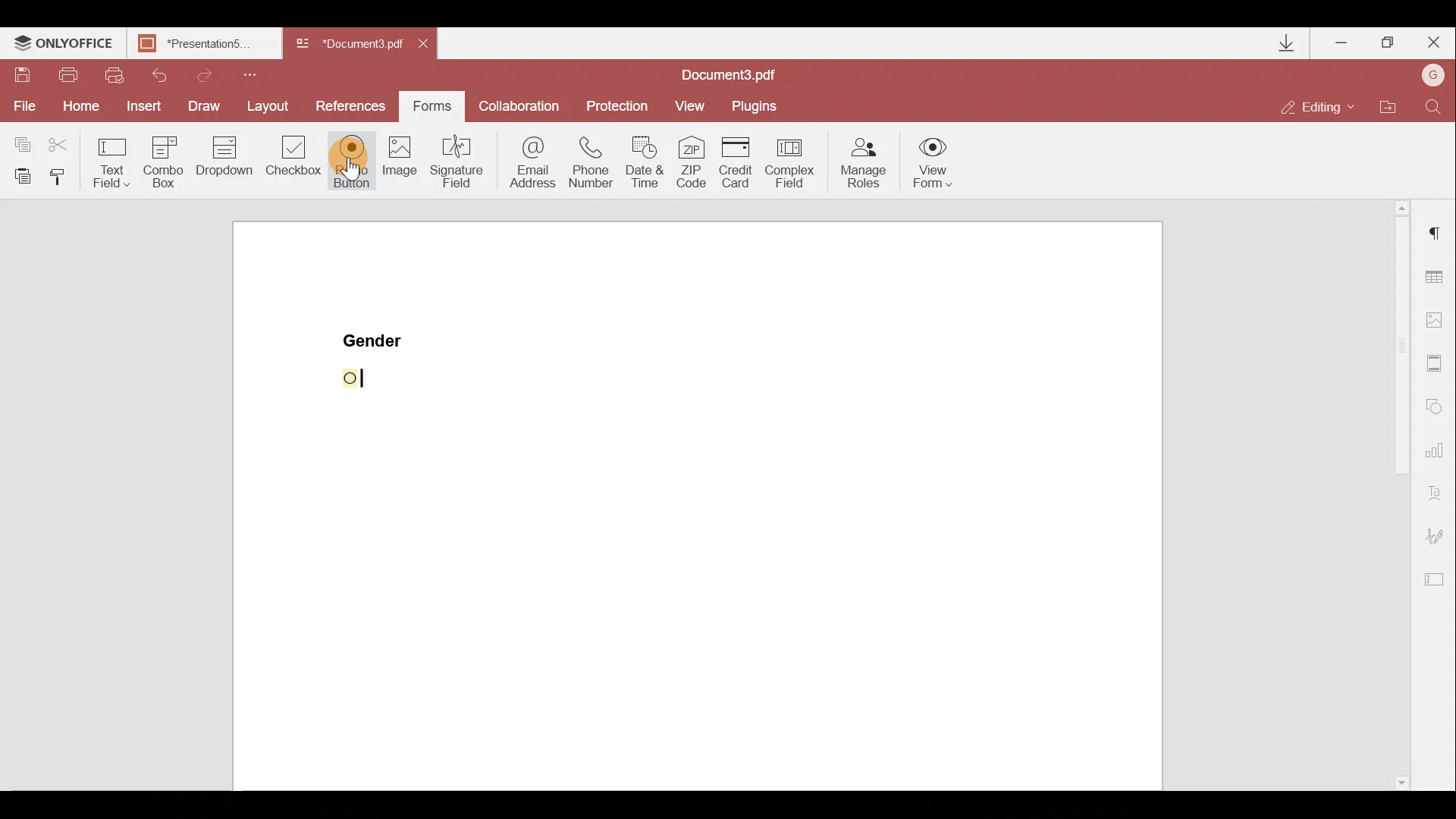 This screenshot has height=819, width=1456. I want to click on Forms, so click(436, 106).